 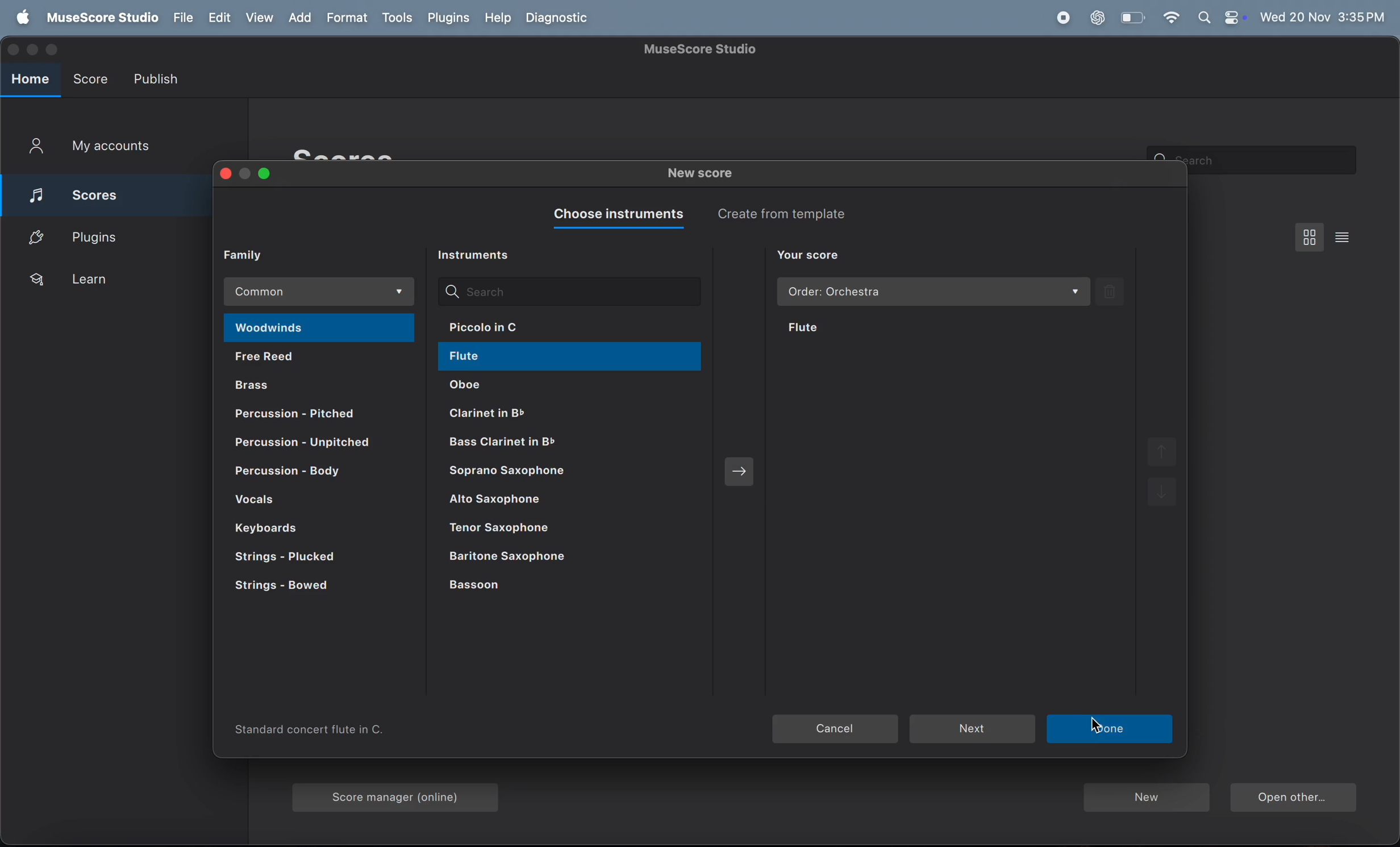 I want to click on list view, so click(x=1346, y=236).